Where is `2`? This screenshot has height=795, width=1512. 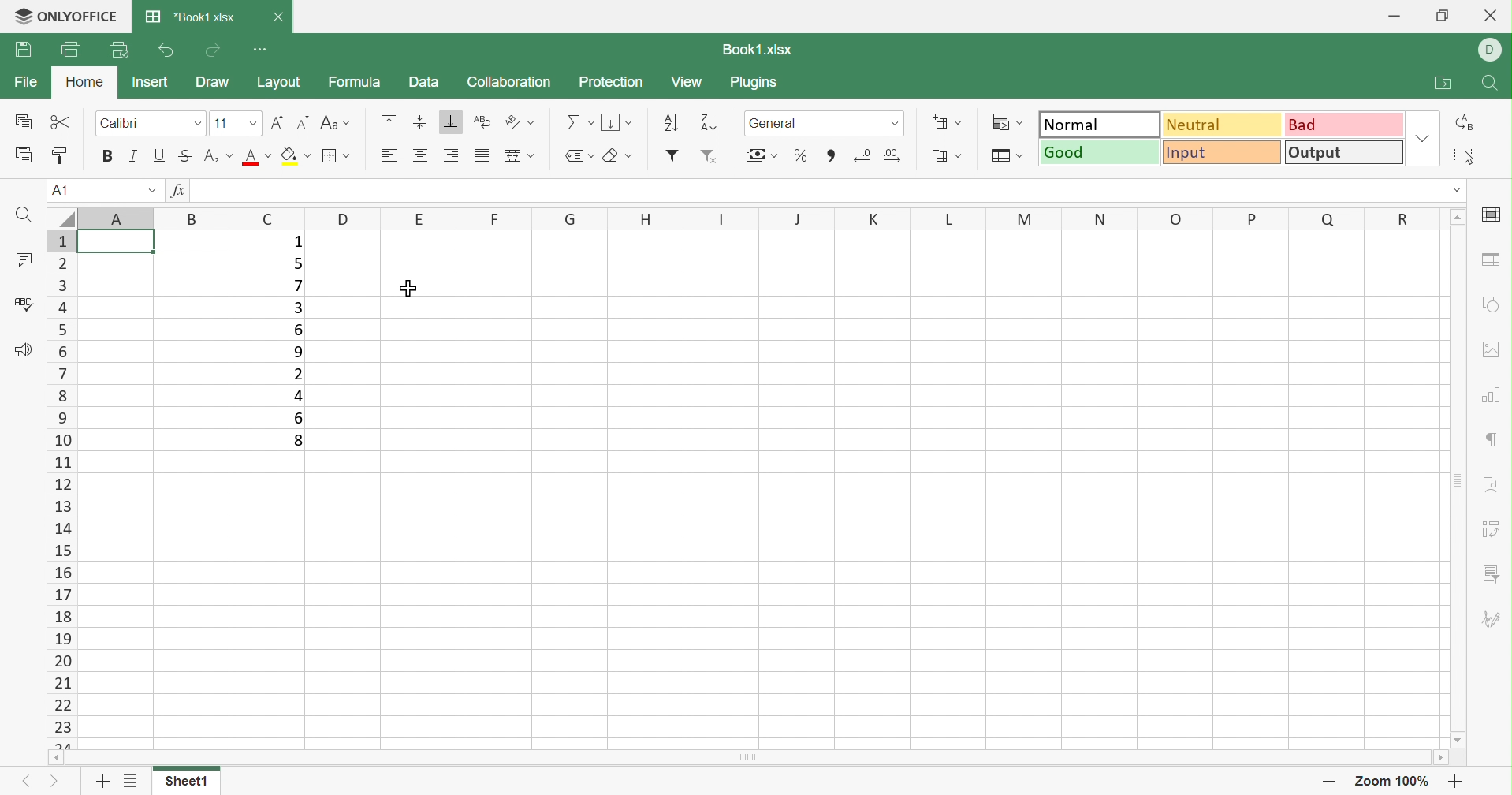 2 is located at coordinates (299, 375).